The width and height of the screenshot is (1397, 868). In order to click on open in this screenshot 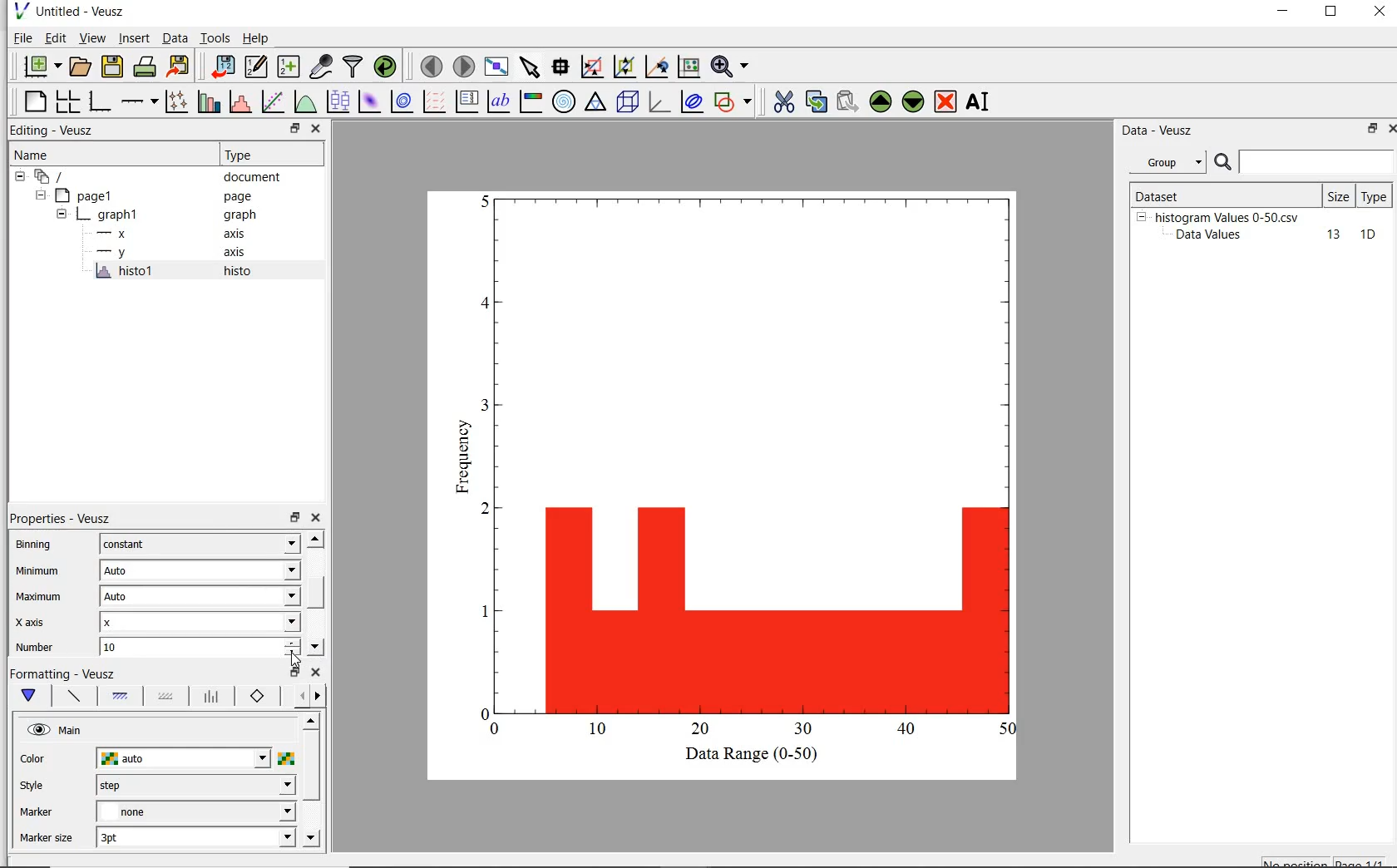, I will do `click(82, 65)`.